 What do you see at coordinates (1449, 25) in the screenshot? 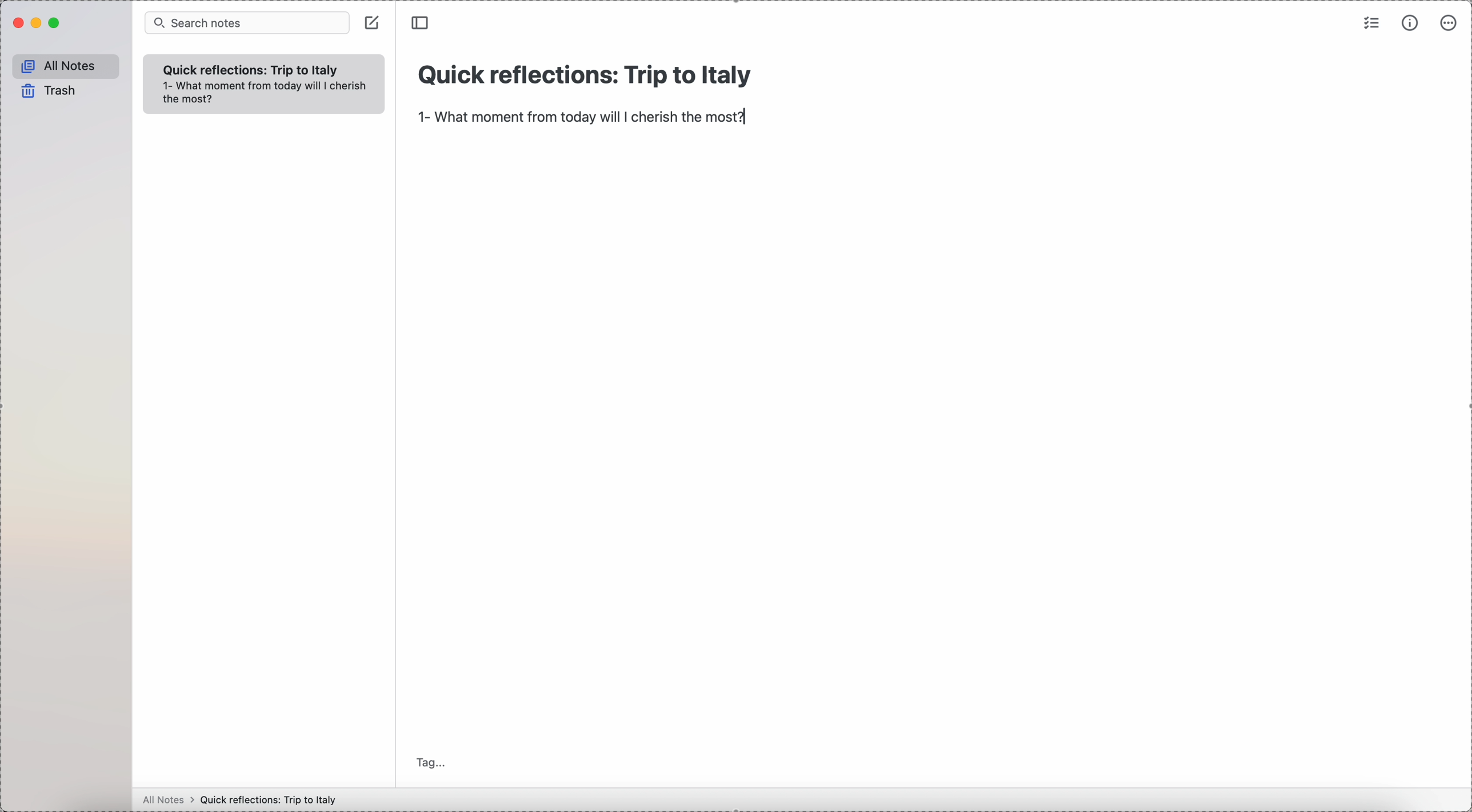
I see `more options` at bounding box center [1449, 25].